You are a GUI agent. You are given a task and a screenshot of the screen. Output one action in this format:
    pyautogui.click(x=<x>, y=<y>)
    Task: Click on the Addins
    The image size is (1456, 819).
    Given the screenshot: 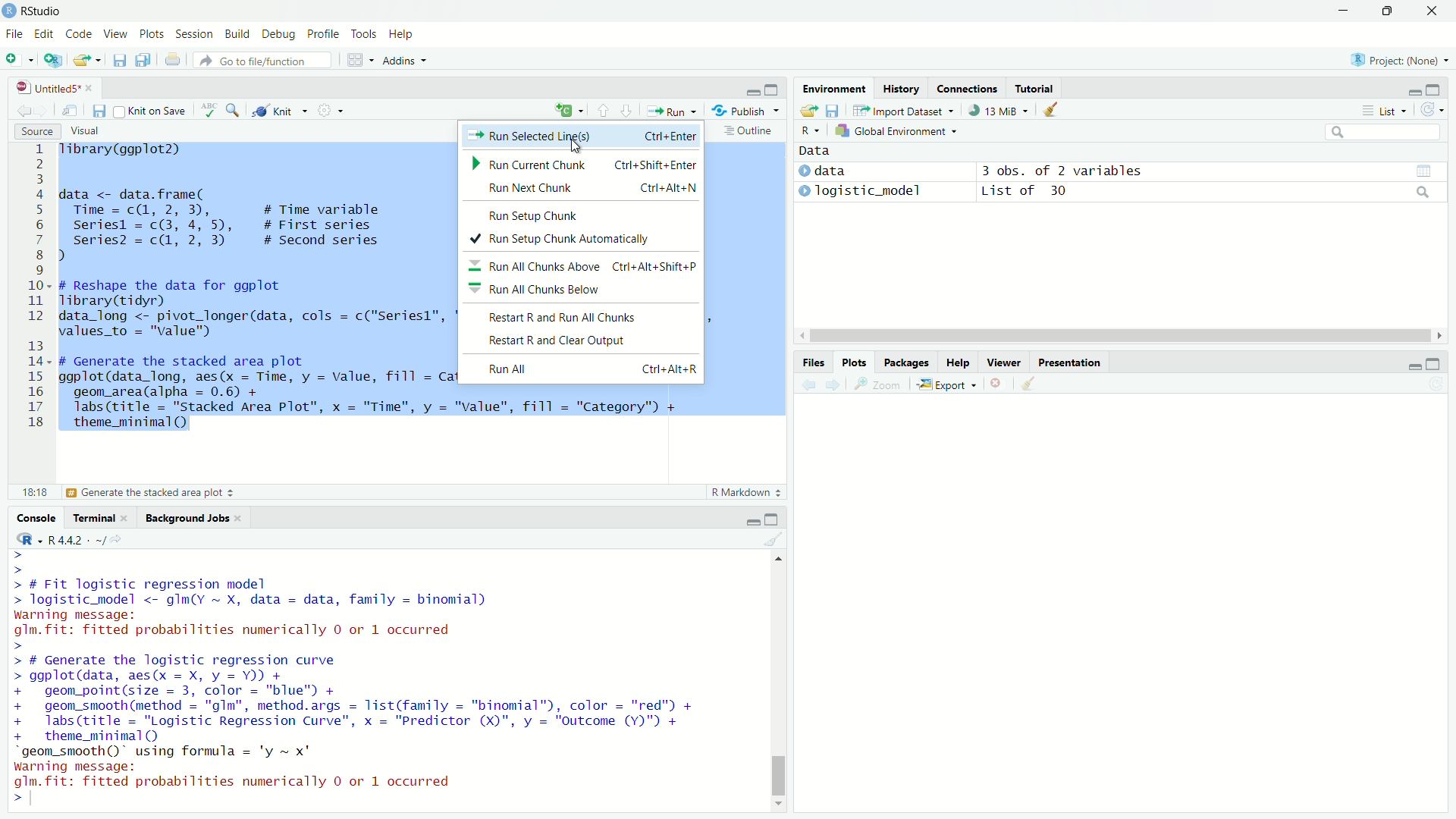 What is the action you would take?
    pyautogui.click(x=400, y=61)
    